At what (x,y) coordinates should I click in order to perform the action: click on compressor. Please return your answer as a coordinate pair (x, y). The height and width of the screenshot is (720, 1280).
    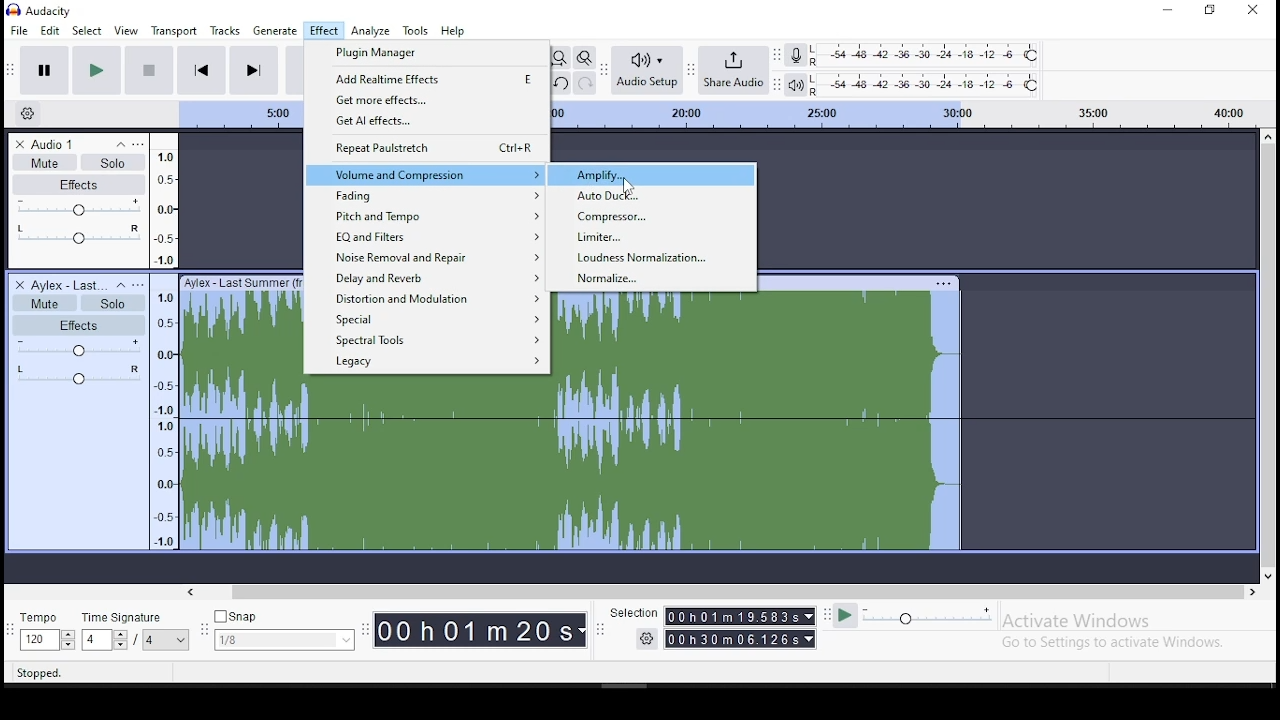
    Looking at the image, I should click on (650, 216).